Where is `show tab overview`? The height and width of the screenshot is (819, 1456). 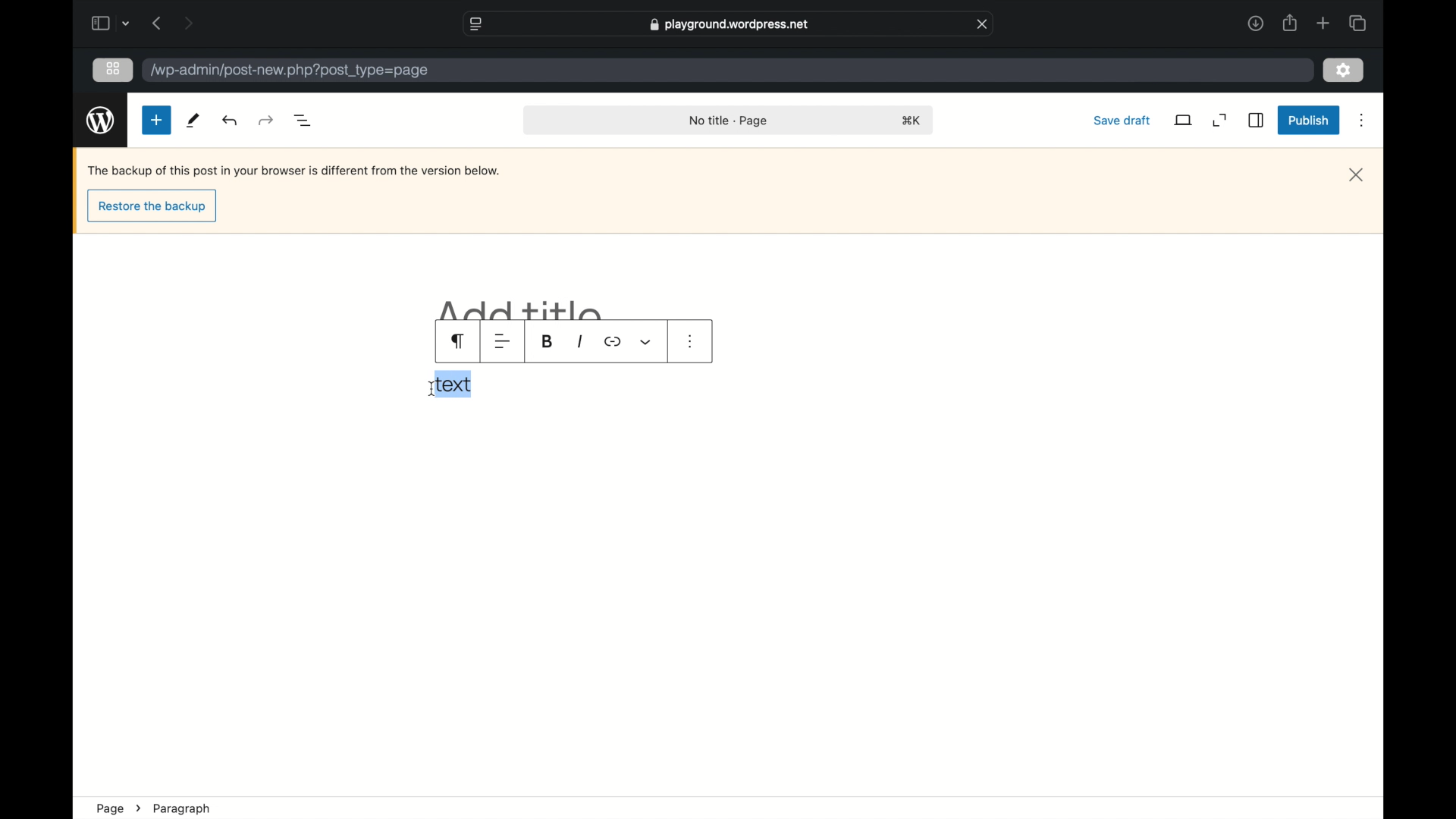
show tab overview is located at coordinates (1359, 23).